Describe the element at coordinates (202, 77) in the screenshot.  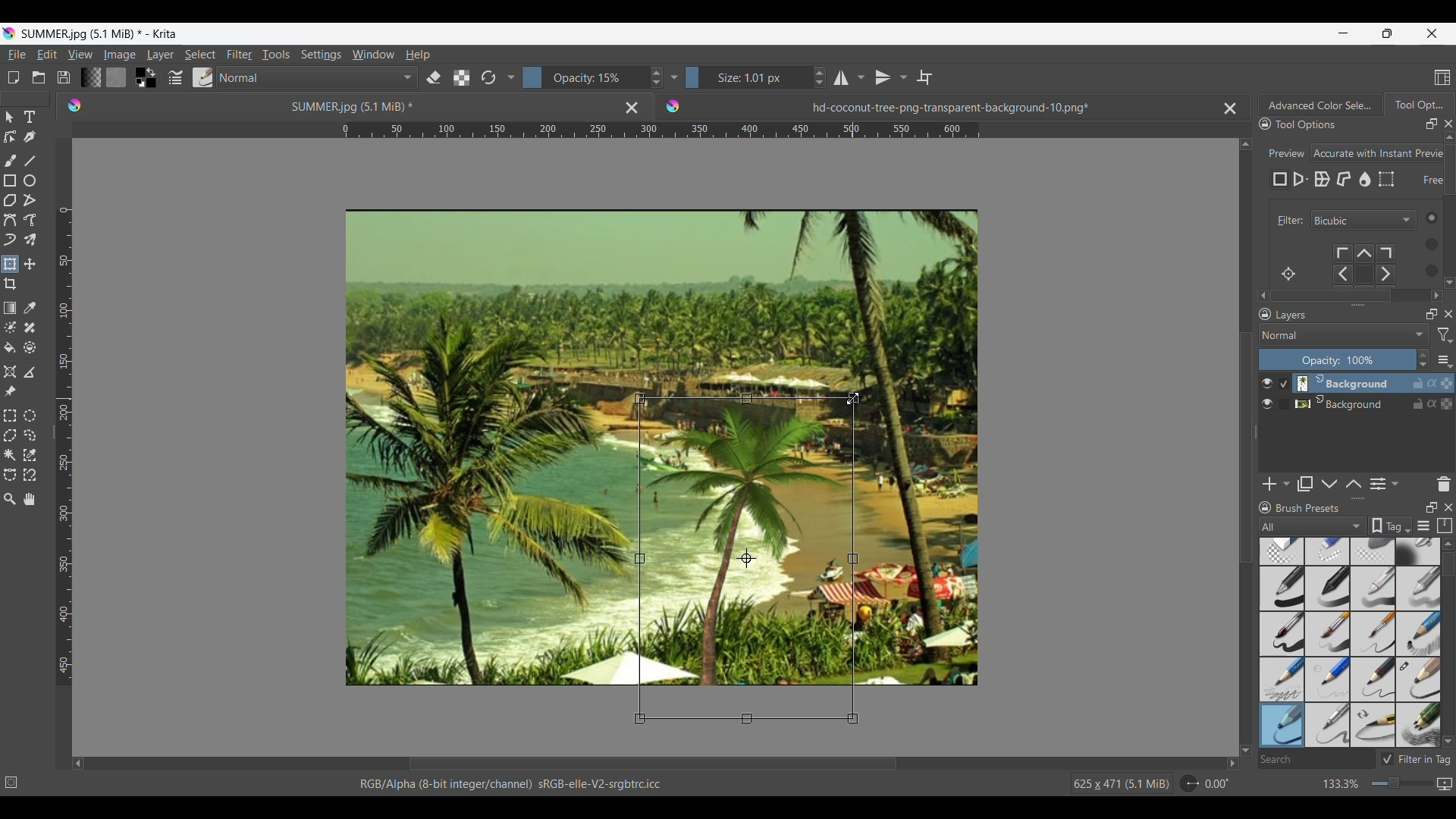
I see `Choose brush preset` at that location.